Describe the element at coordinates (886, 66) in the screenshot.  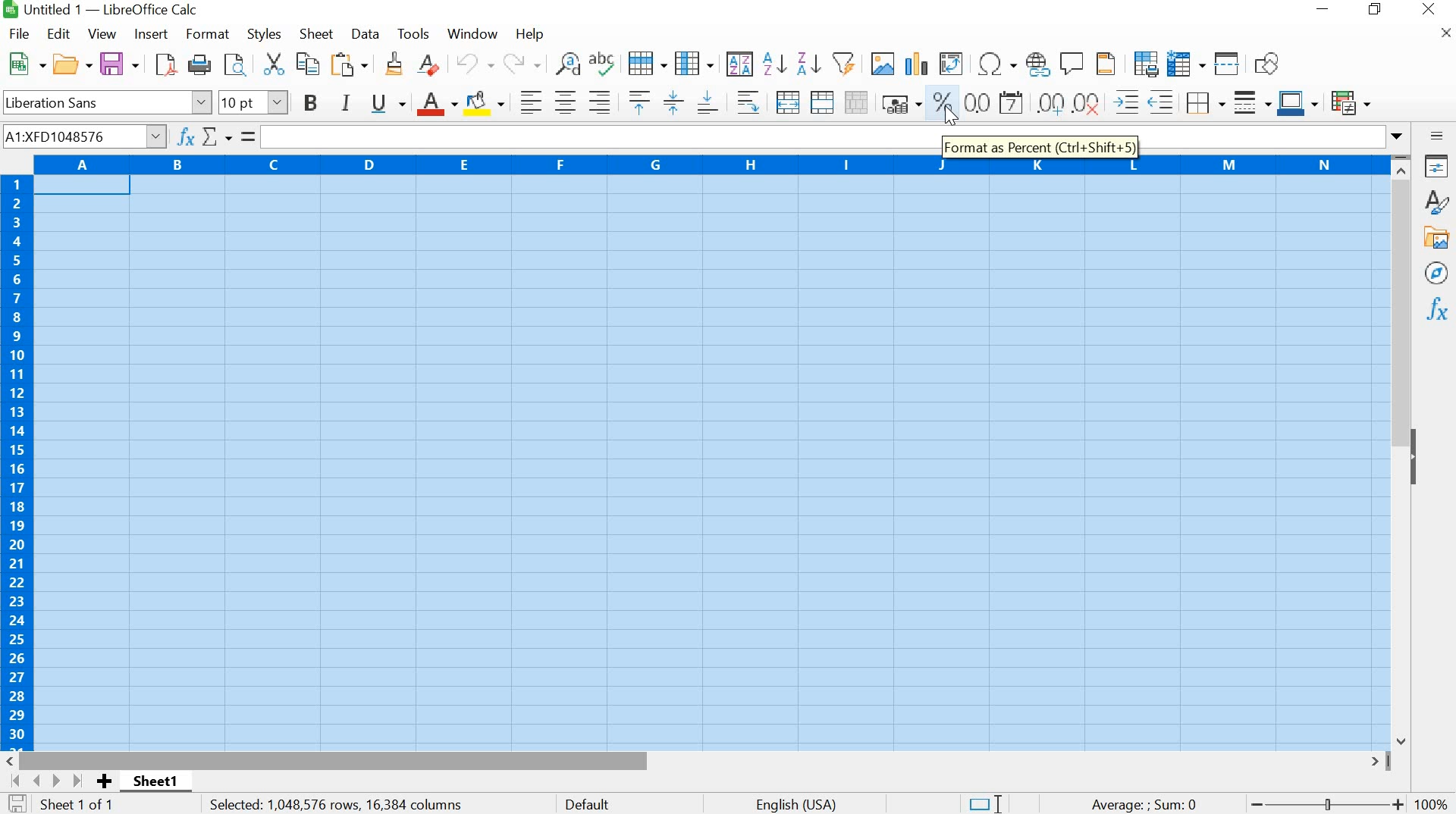
I see `Insert Image` at that location.